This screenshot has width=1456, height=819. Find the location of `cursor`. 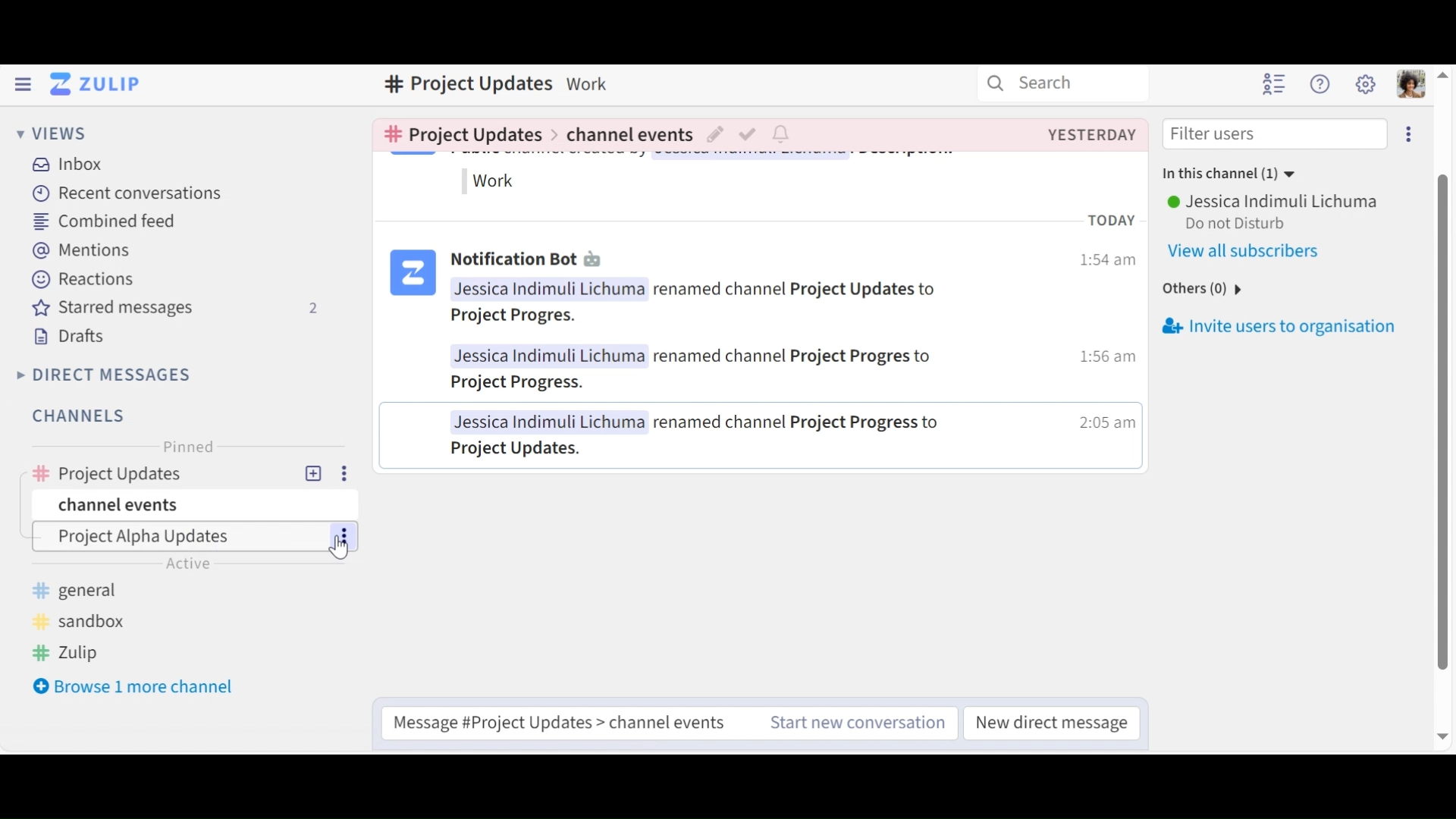

cursor is located at coordinates (340, 545).